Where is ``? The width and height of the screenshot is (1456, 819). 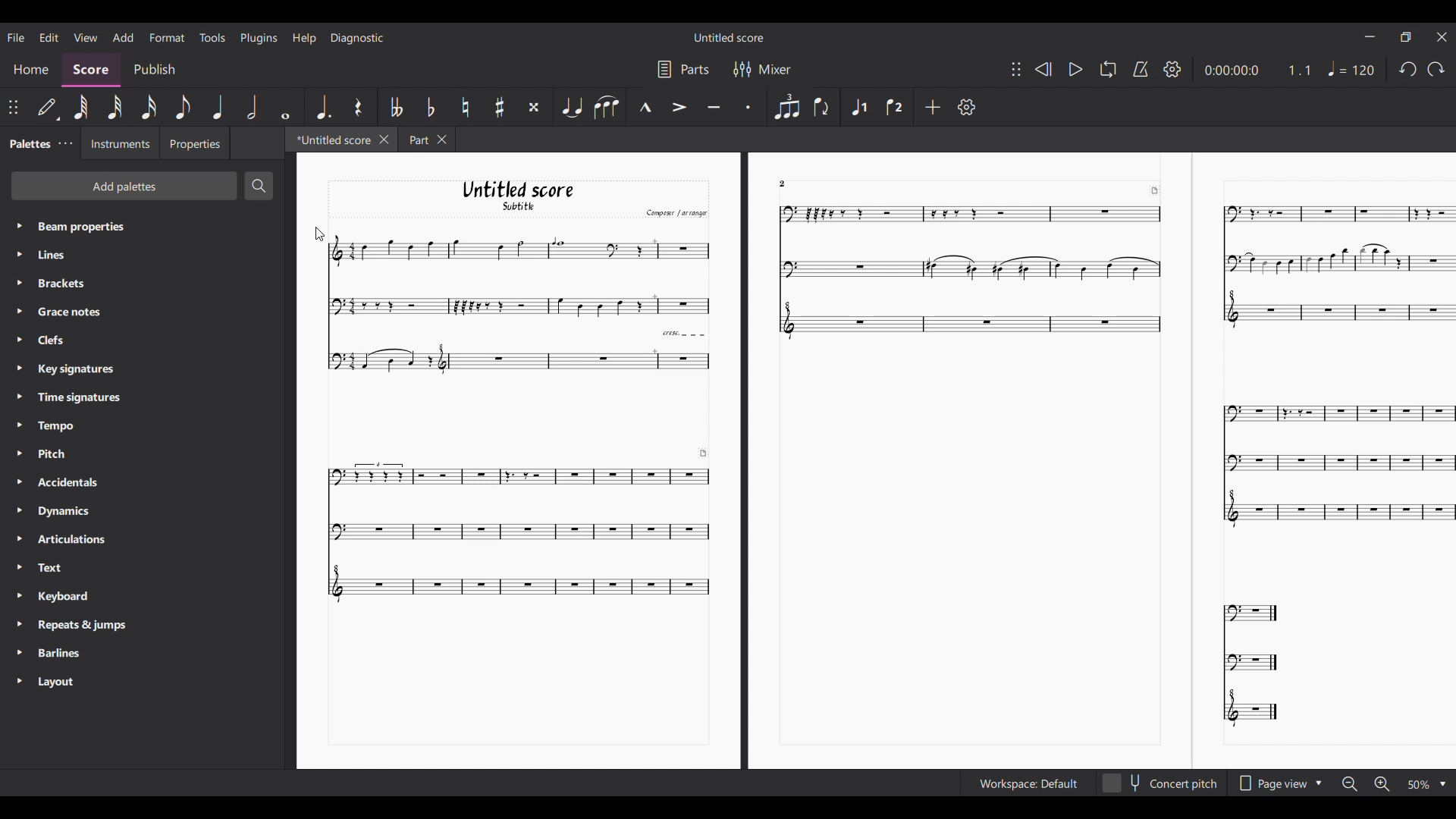
 is located at coordinates (522, 475).